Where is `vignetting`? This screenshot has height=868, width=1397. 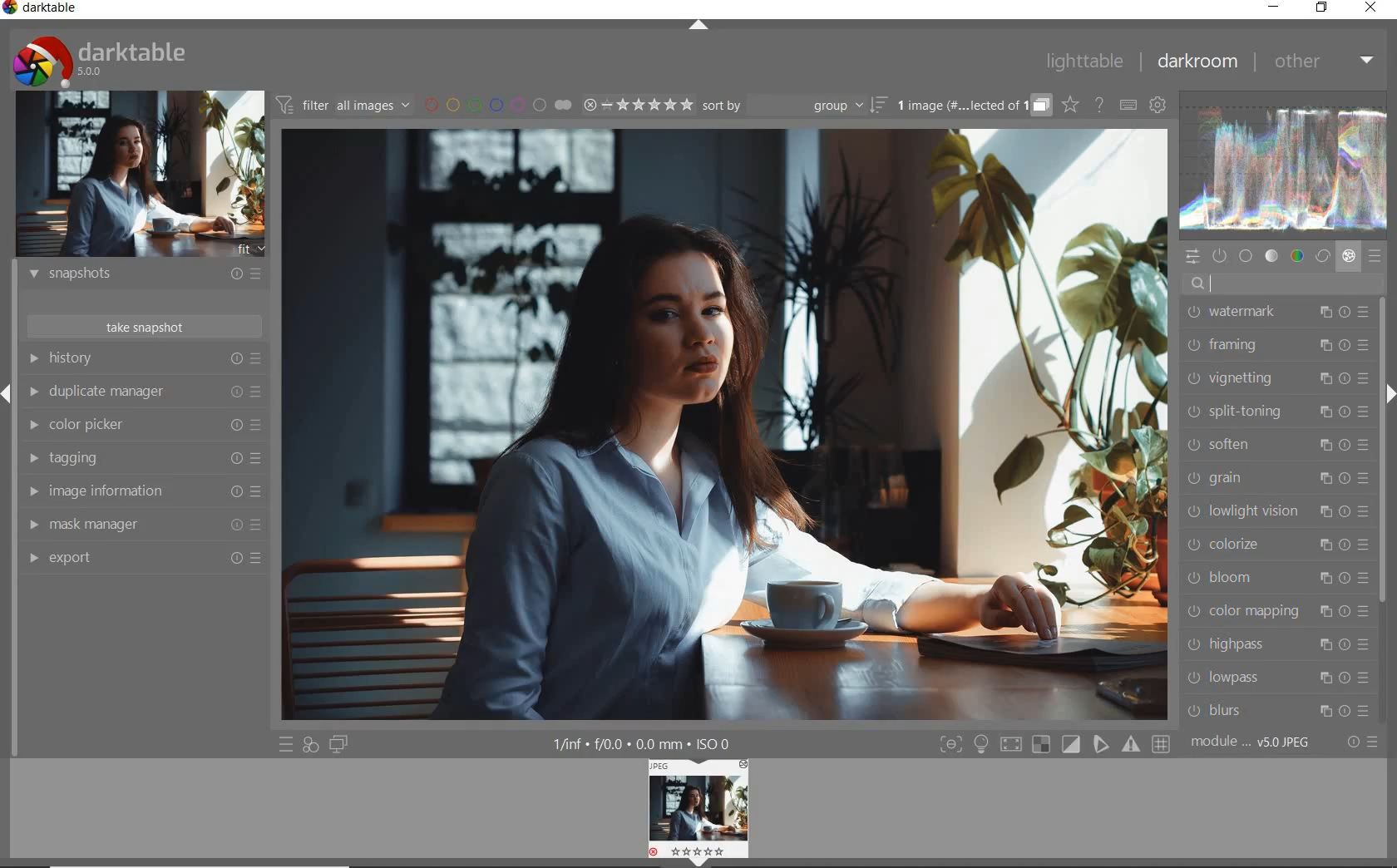
vignetting is located at coordinates (1277, 380).